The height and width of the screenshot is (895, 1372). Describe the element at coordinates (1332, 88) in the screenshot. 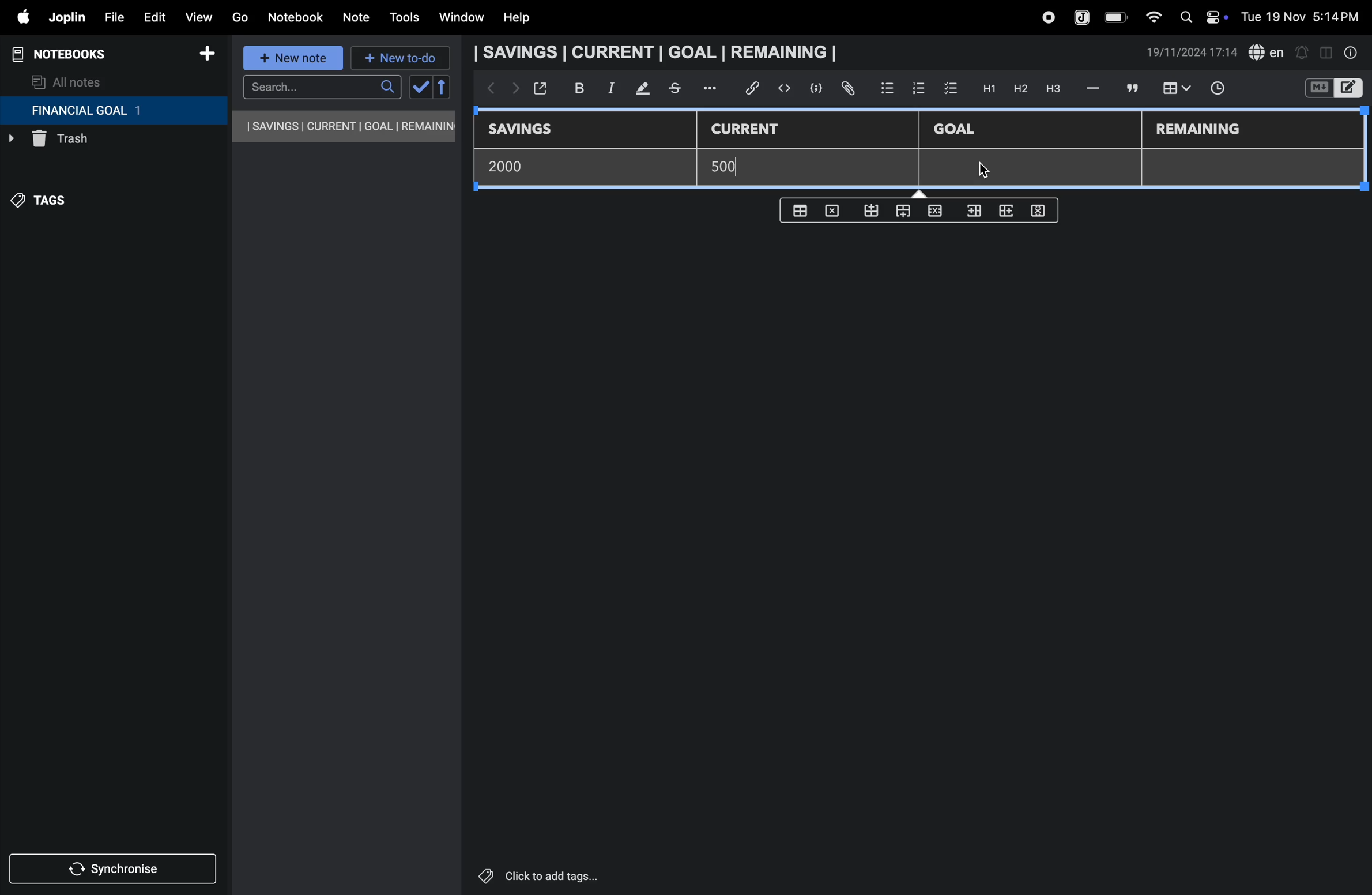

I see `switch editor` at that location.